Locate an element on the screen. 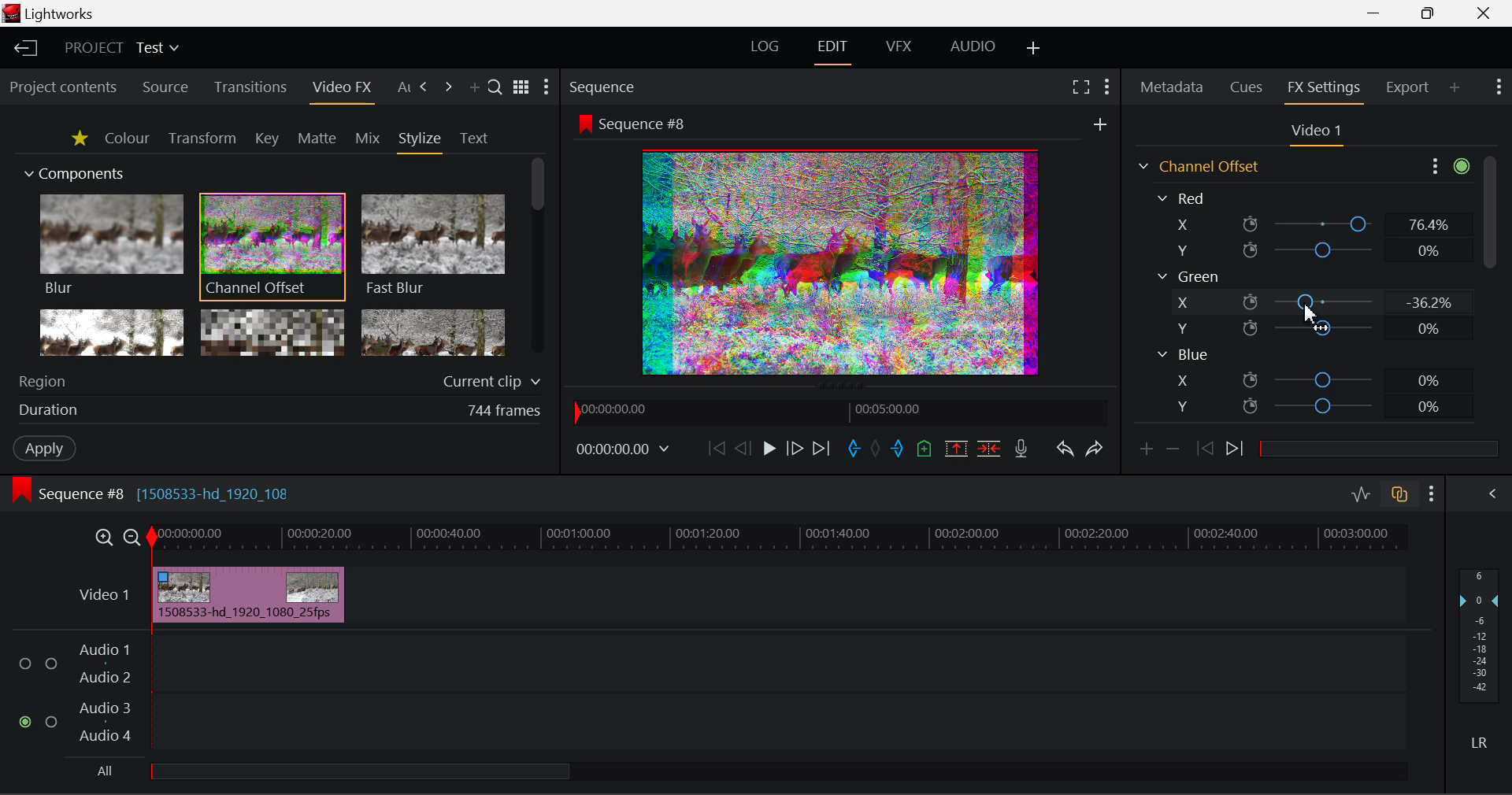 The height and width of the screenshot is (795, 1512). FX Settings is located at coordinates (1325, 89).